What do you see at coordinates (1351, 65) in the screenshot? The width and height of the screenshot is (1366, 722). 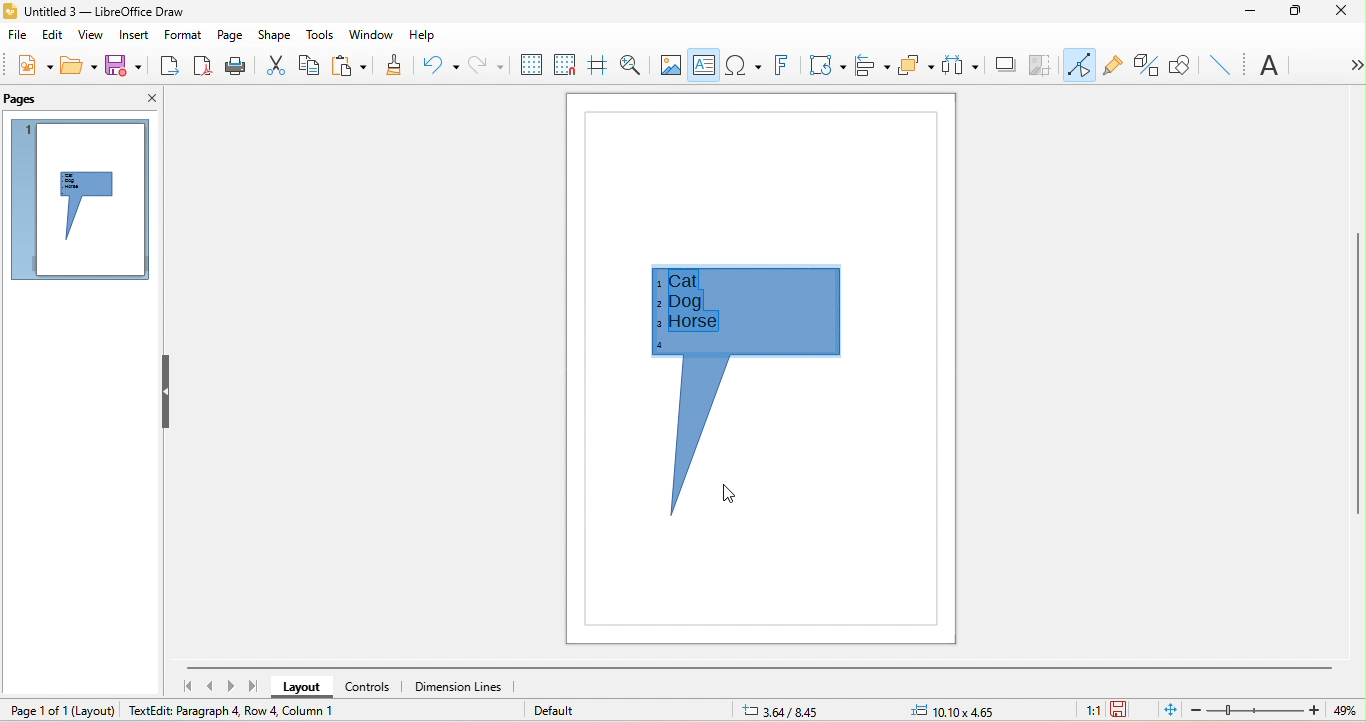 I see `option` at bounding box center [1351, 65].